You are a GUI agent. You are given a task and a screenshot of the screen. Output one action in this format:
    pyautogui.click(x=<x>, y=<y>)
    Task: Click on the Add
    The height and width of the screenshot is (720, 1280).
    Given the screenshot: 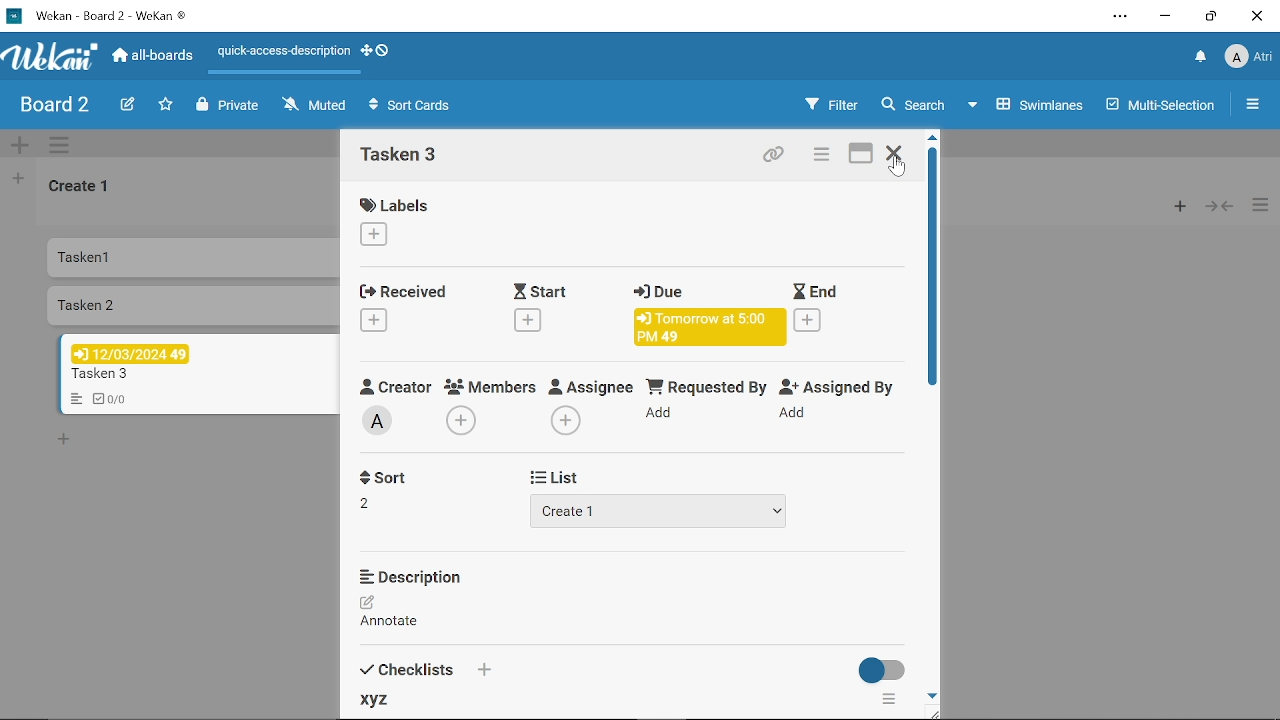 What is the action you would take?
    pyautogui.click(x=792, y=415)
    